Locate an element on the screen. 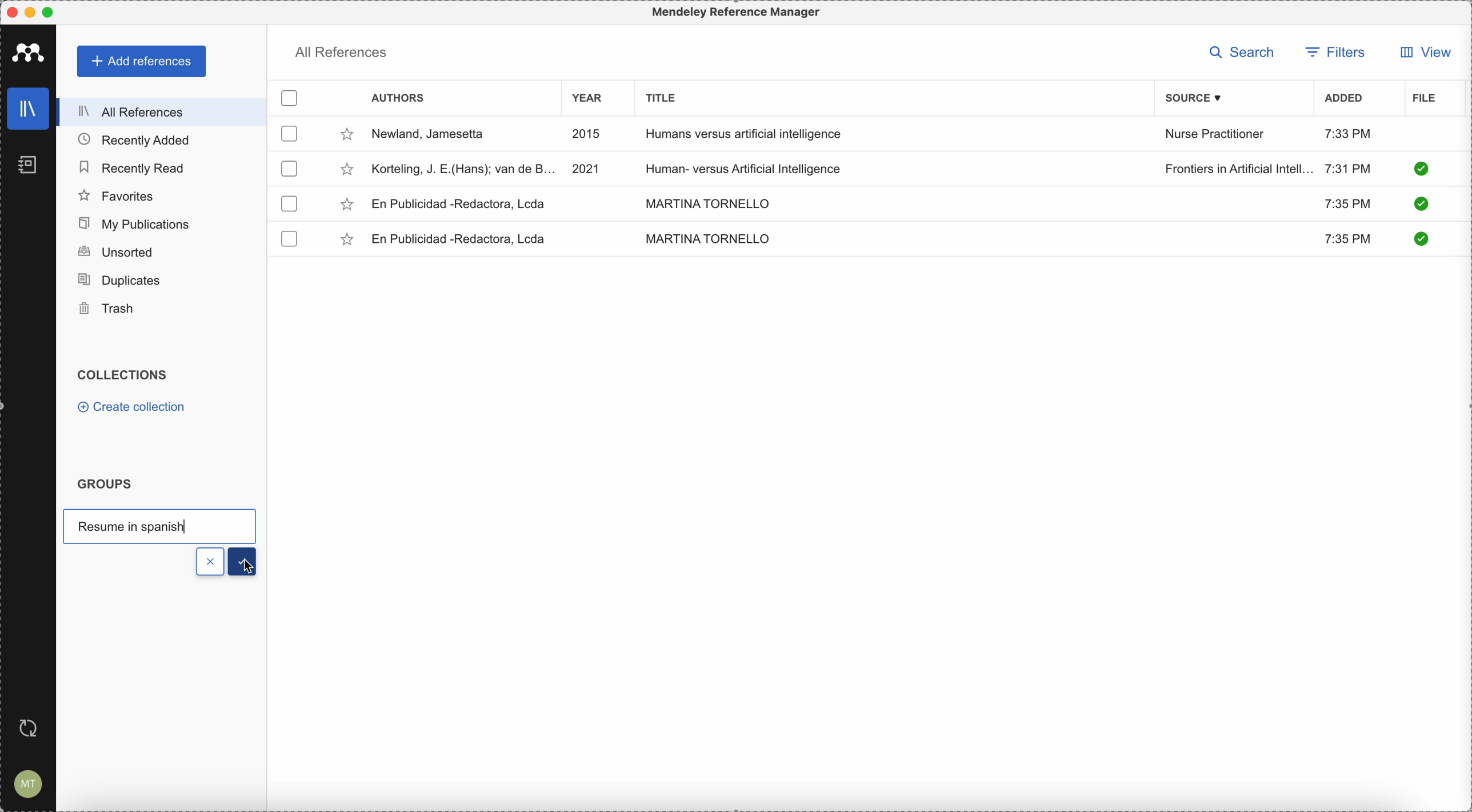 The width and height of the screenshot is (1472, 812). check it is located at coordinates (1419, 238).